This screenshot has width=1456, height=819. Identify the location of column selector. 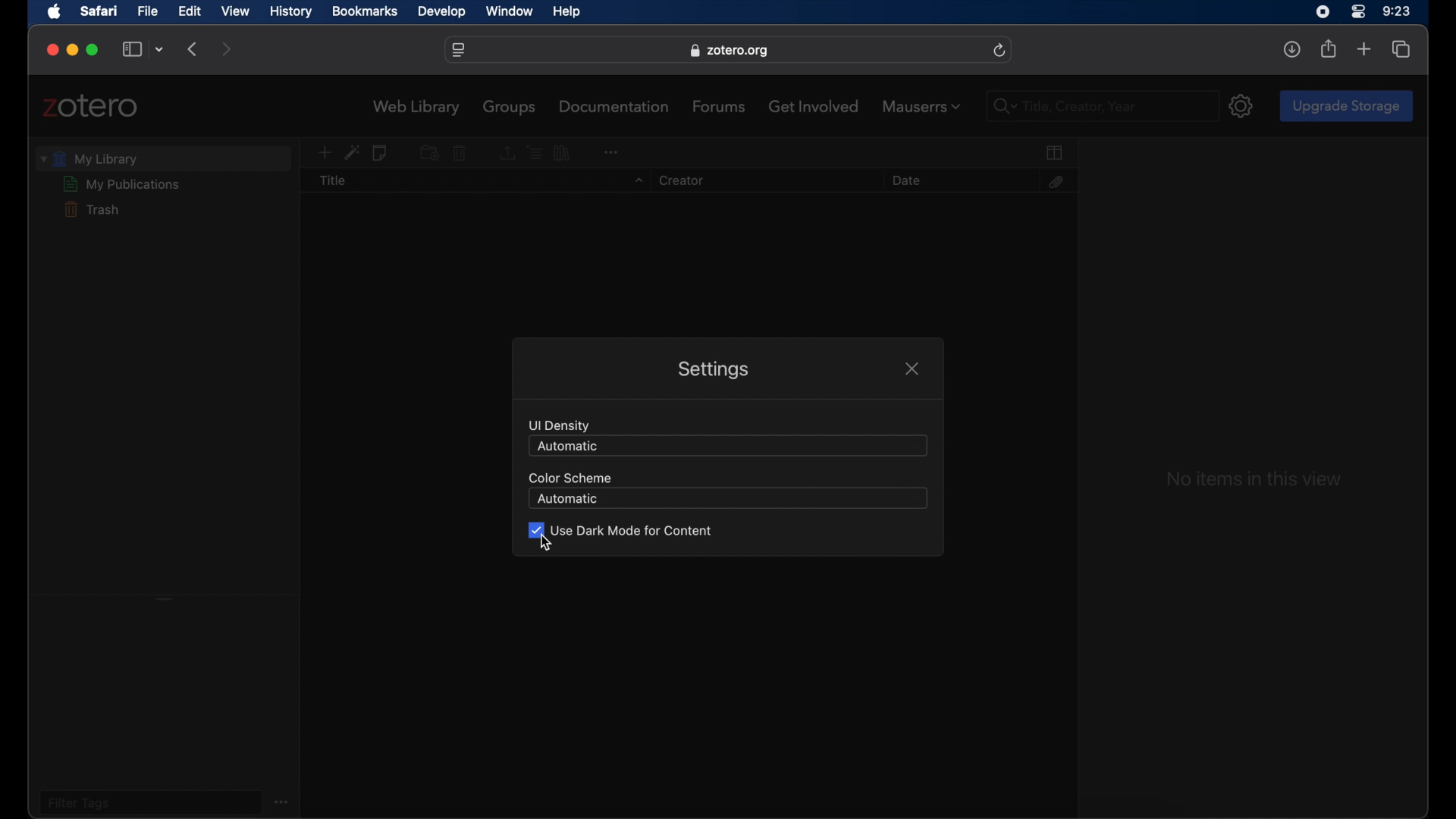
(1056, 152).